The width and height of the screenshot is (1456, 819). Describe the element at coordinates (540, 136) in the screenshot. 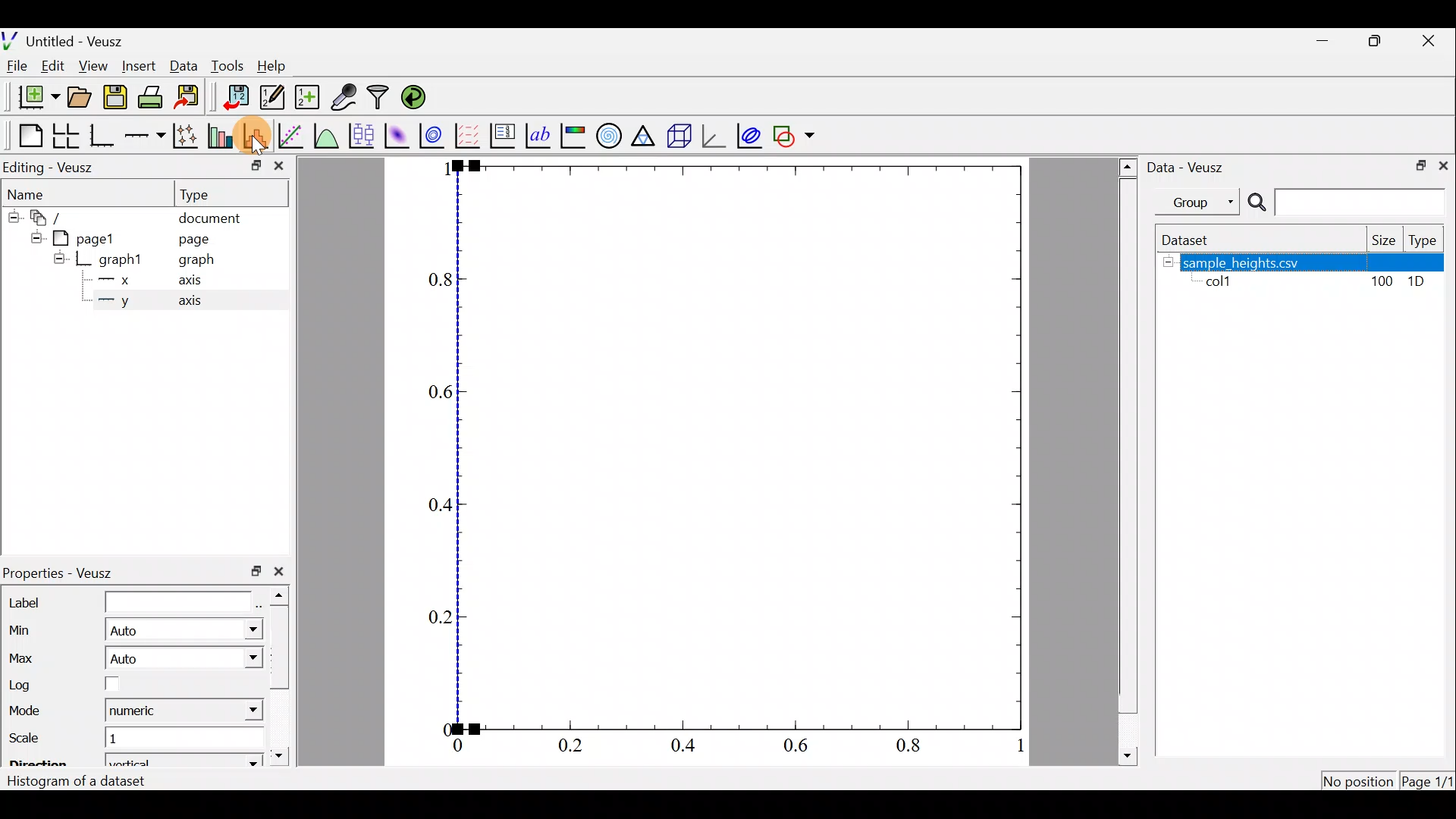

I see `text label` at that location.